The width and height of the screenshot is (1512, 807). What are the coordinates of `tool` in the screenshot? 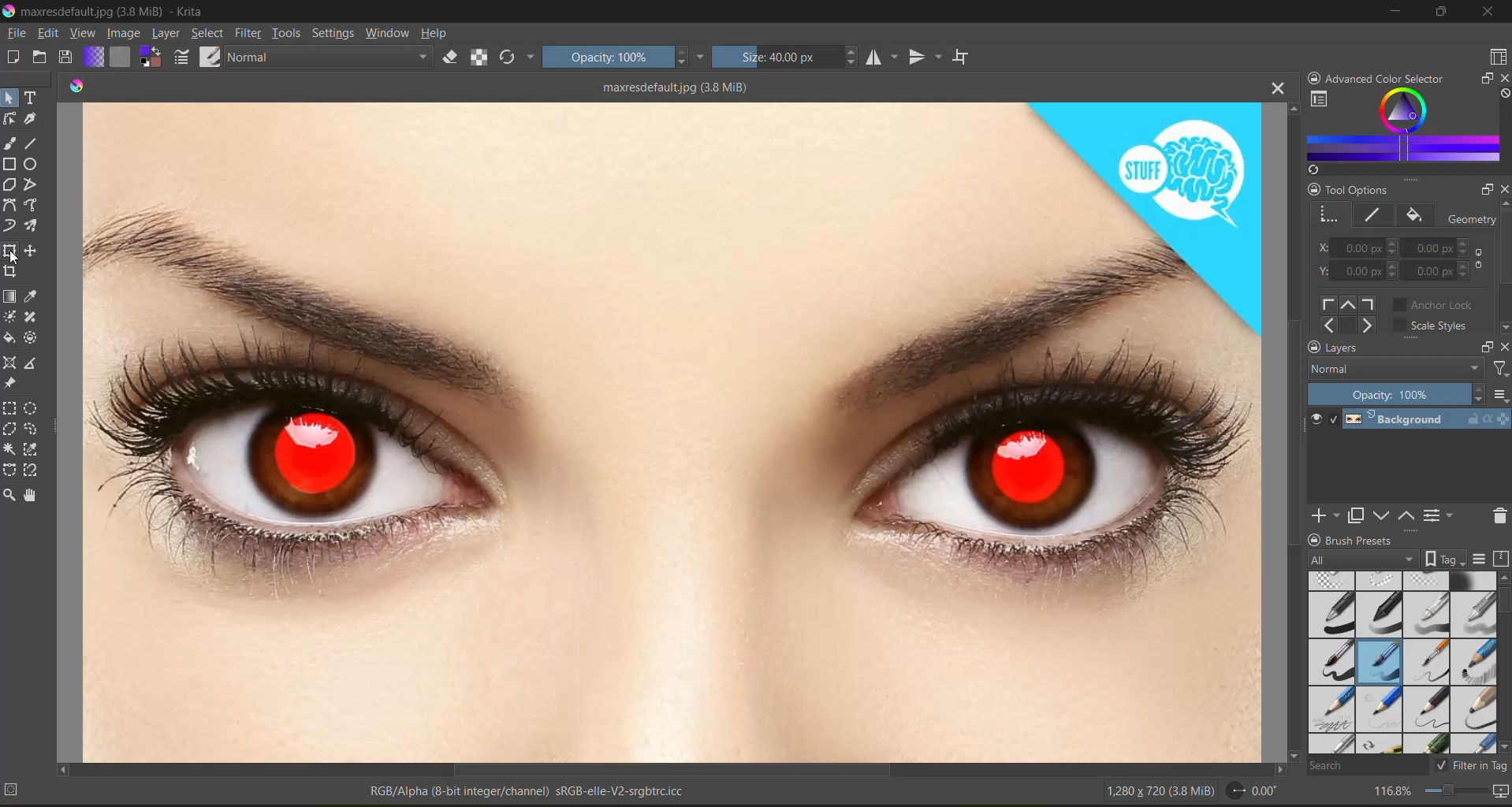 It's located at (35, 449).